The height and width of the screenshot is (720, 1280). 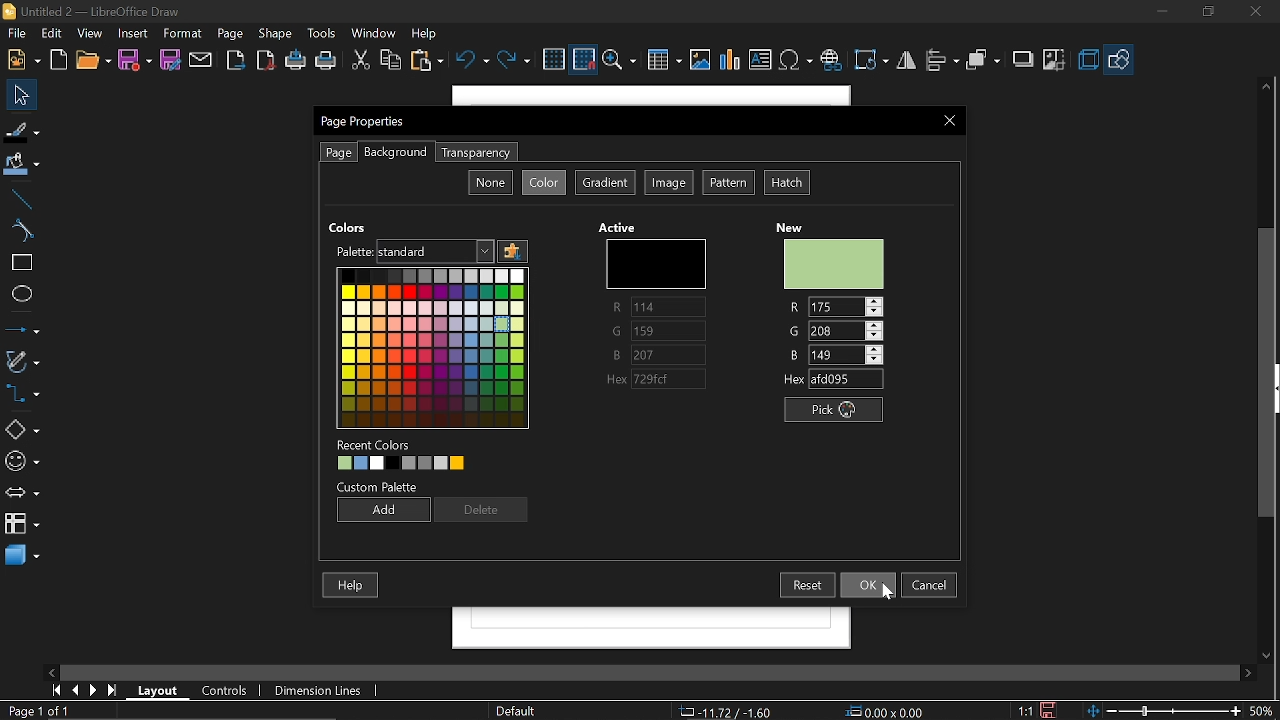 What do you see at coordinates (22, 364) in the screenshot?
I see `Curves and polygons` at bounding box center [22, 364].